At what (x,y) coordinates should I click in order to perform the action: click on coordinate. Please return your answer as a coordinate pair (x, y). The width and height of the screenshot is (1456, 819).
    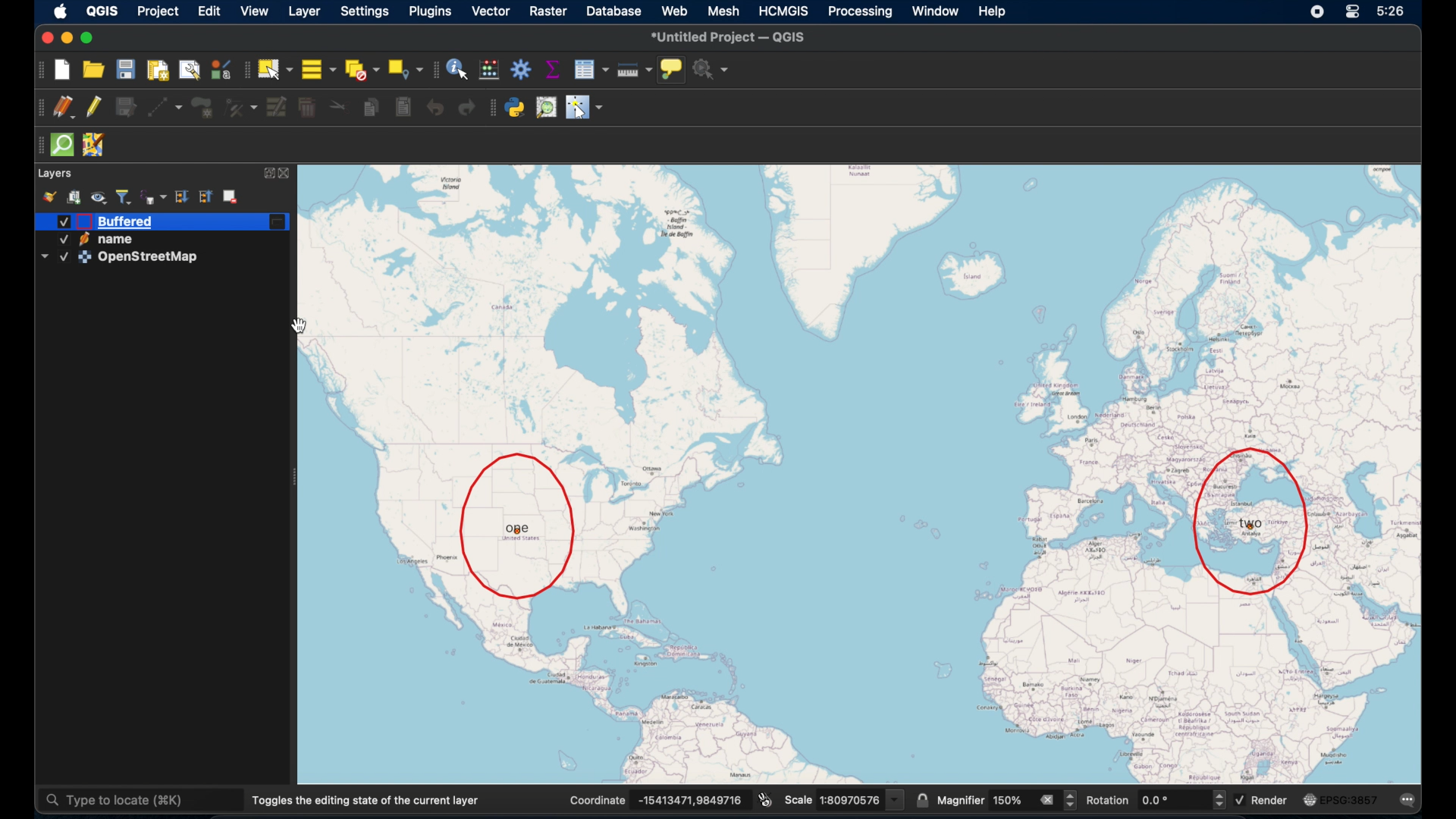
    Looking at the image, I should click on (598, 799).